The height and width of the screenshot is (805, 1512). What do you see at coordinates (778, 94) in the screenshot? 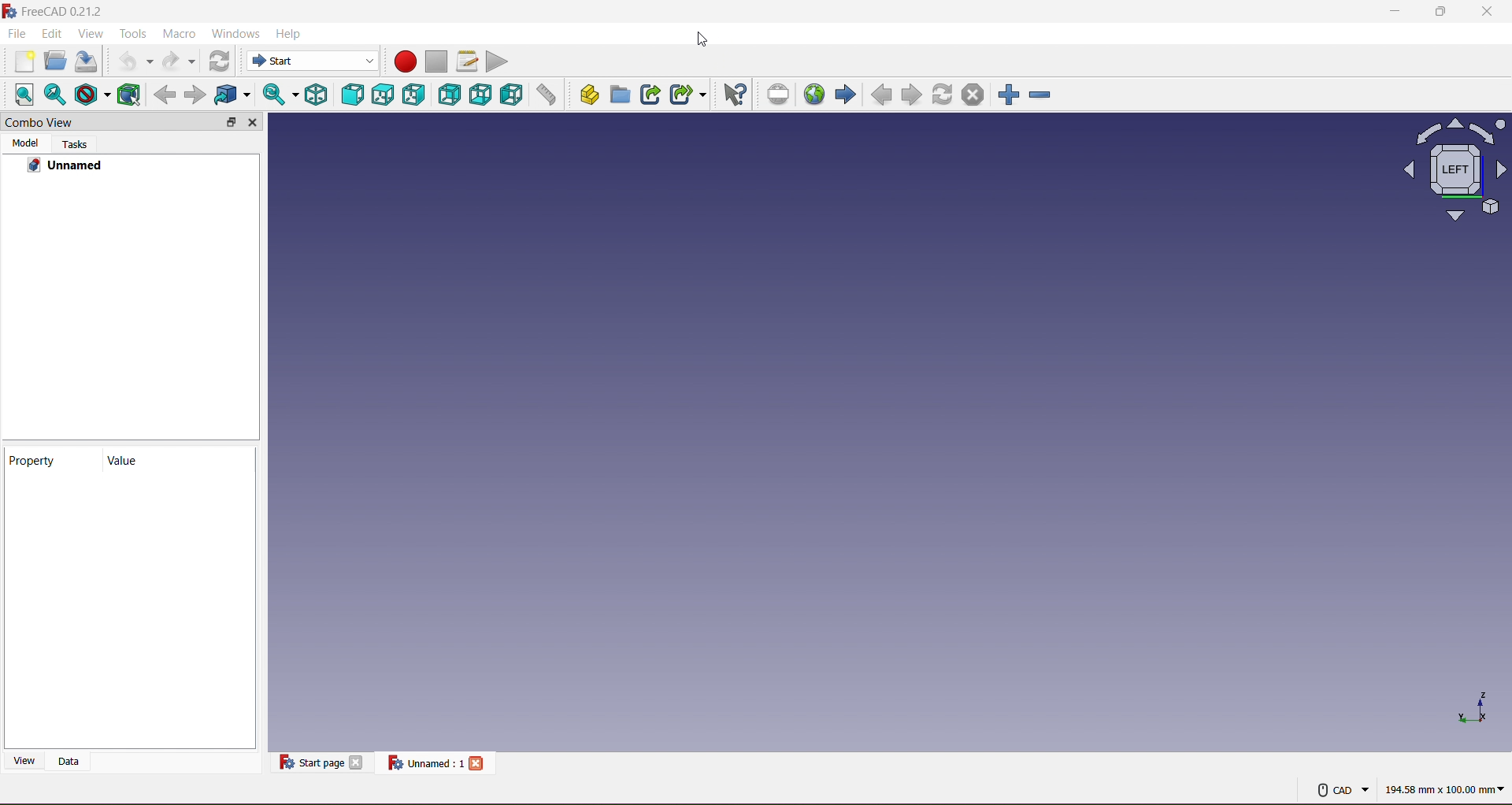
I see `Toggle Fullscreen` at bounding box center [778, 94].